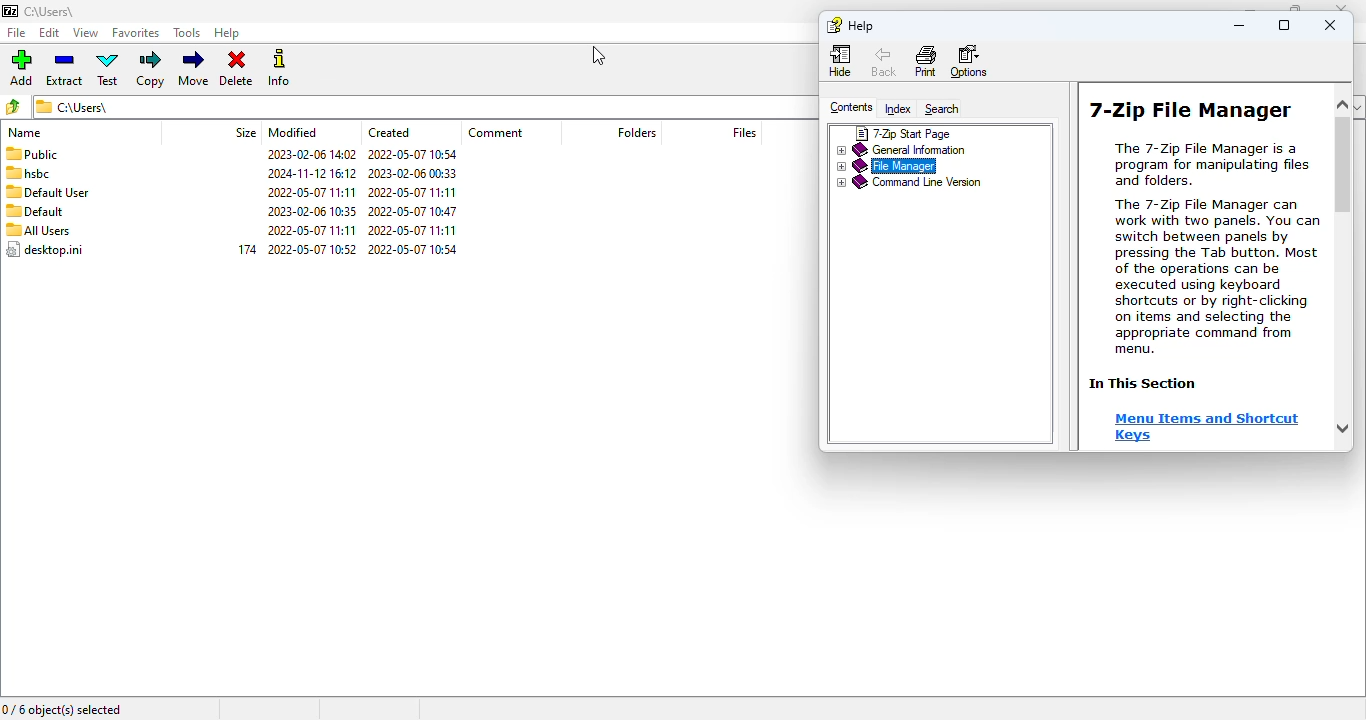  What do you see at coordinates (842, 59) in the screenshot?
I see `hide` at bounding box center [842, 59].